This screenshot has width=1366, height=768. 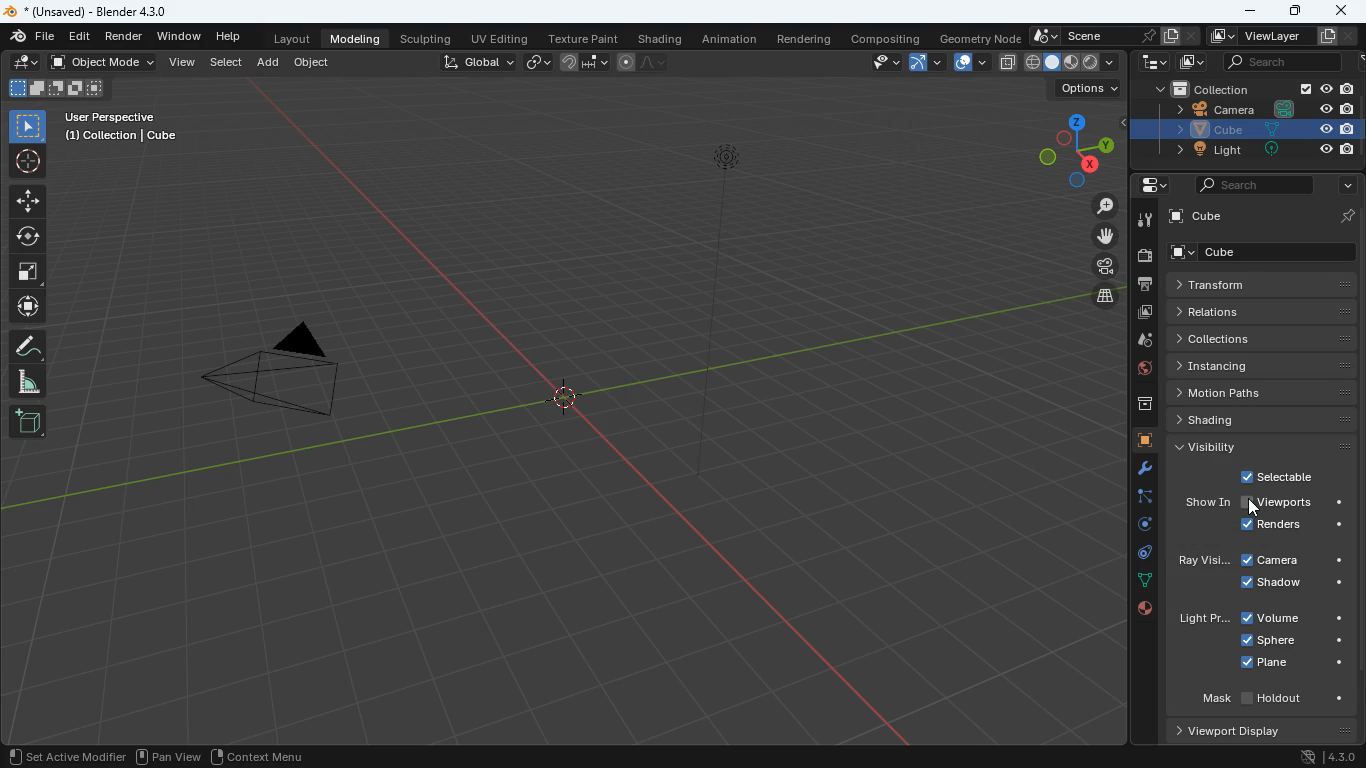 What do you see at coordinates (1182, 36) in the screenshot?
I see `document` at bounding box center [1182, 36].